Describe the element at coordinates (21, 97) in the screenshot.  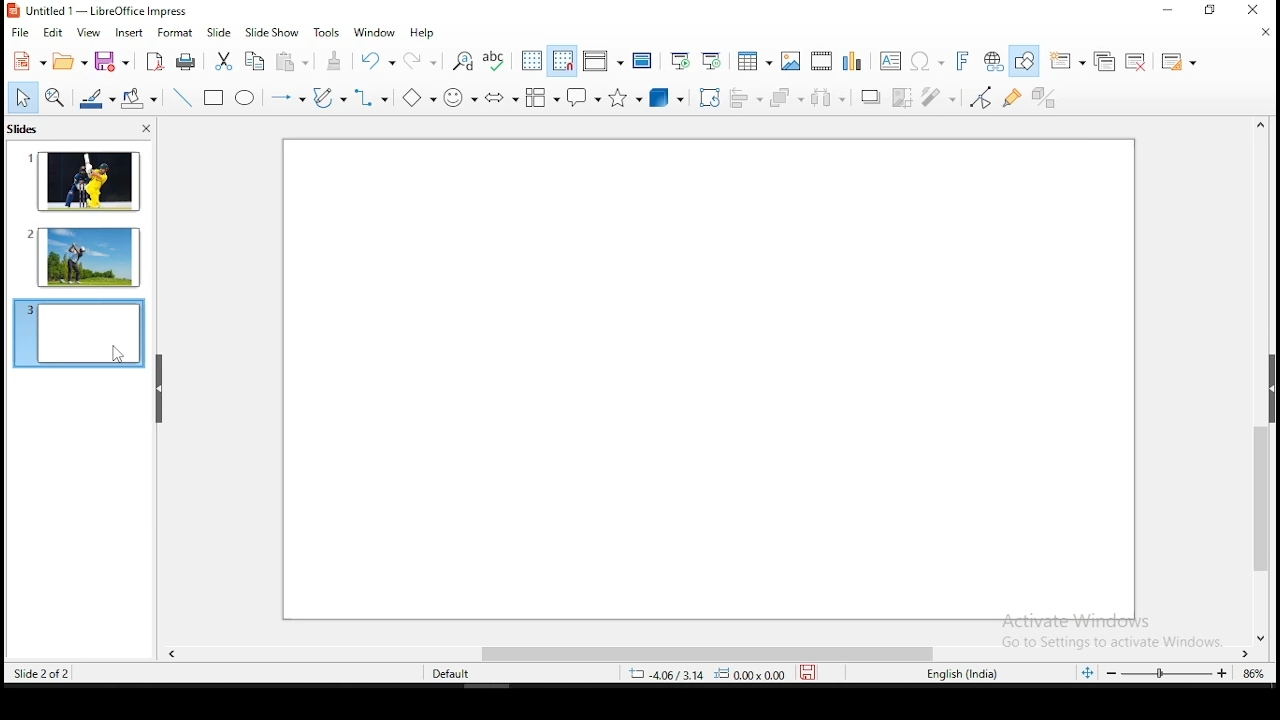
I see `select` at that location.